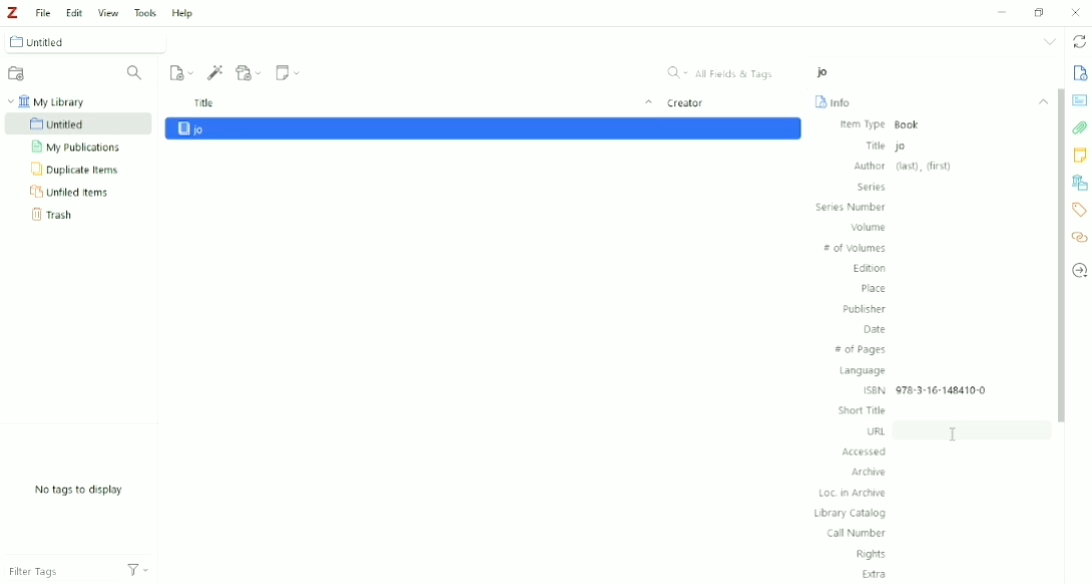  I want to click on Item Type Book, so click(889, 125).